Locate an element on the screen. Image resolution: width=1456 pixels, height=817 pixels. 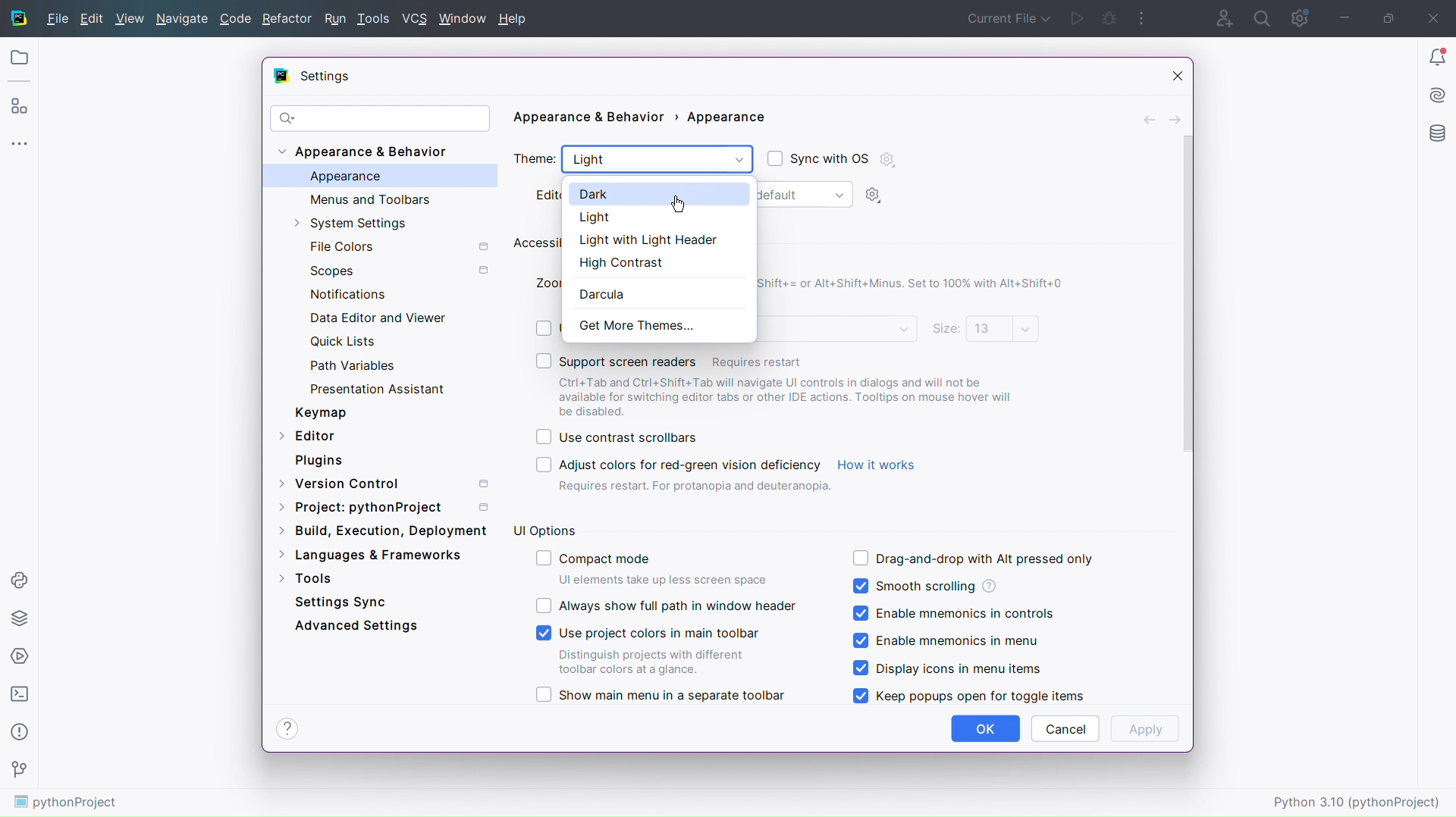
High Contrast is located at coordinates (653, 261).